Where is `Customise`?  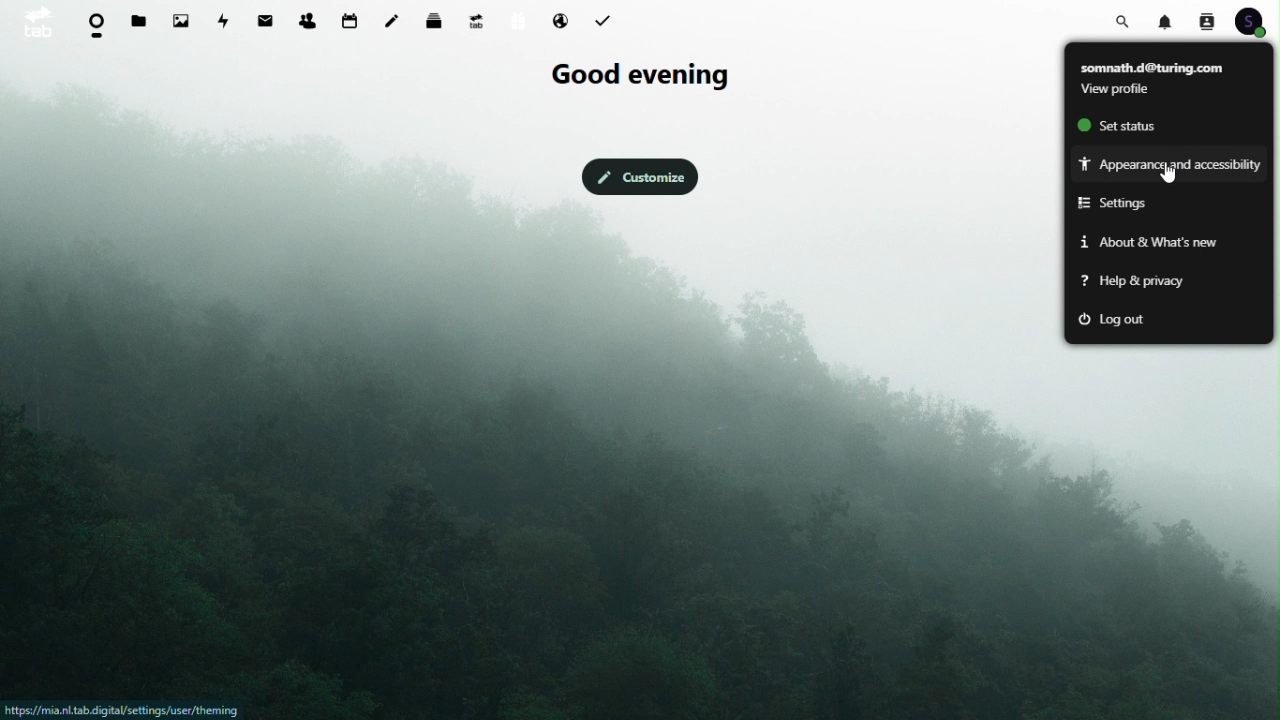 Customise is located at coordinates (638, 175).